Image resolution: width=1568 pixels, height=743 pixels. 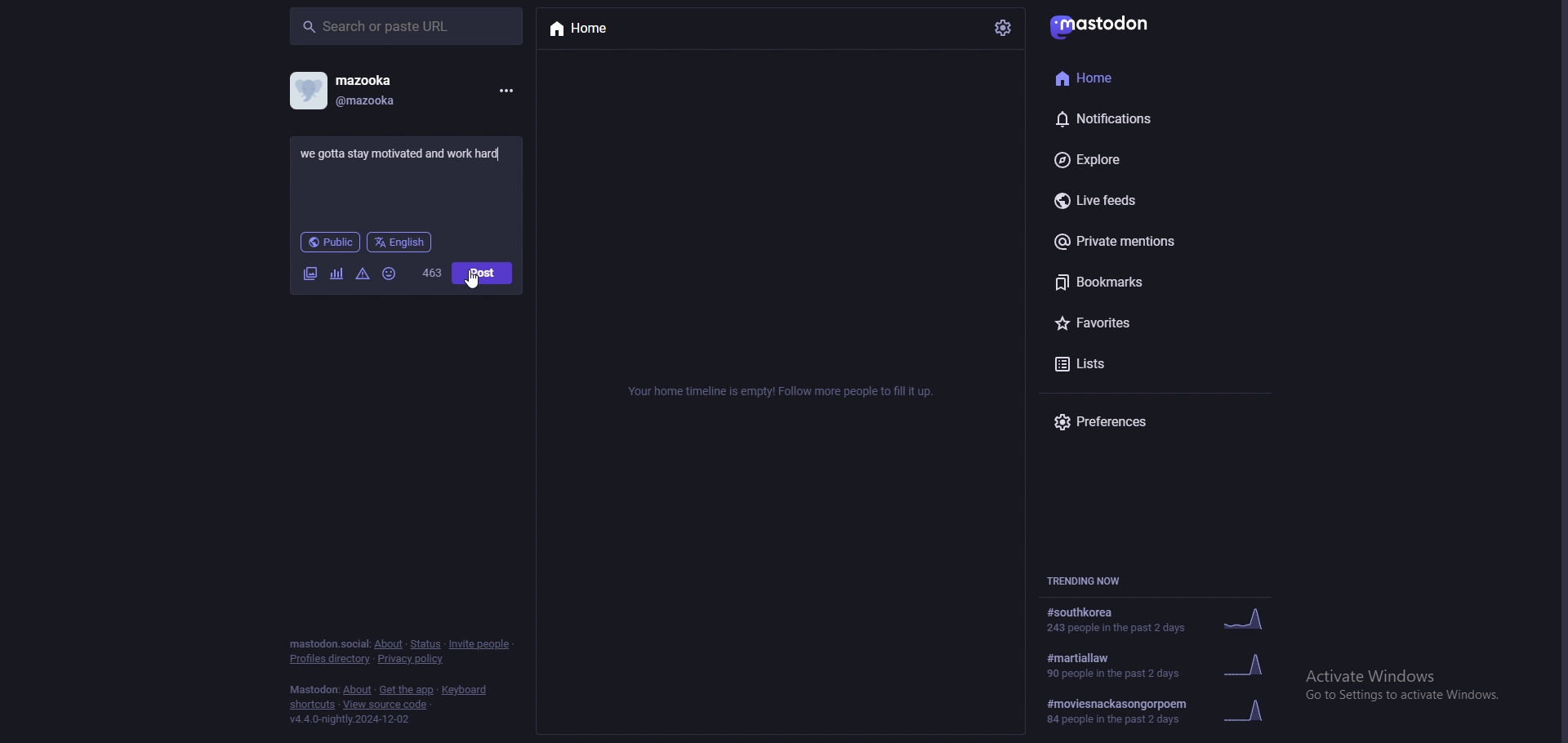 What do you see at coordinates (402, 153) in the screenshot?
I see `motivation` at bounding box center [402, 153].